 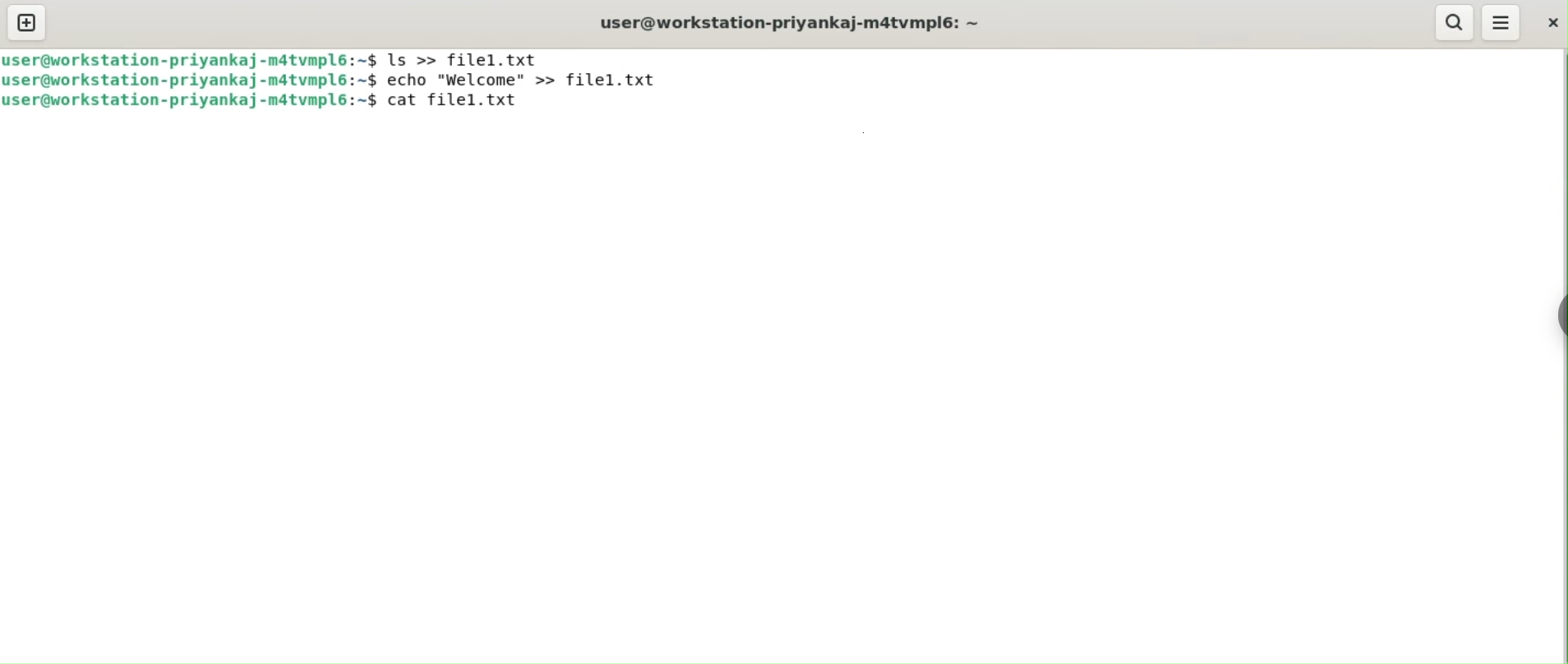 What do you see at coordinates (191, 81) in the screenshot?
I see `user@workstation-priyankaj-m4tvmpl6: ~$` at bounding box center [191, 81].